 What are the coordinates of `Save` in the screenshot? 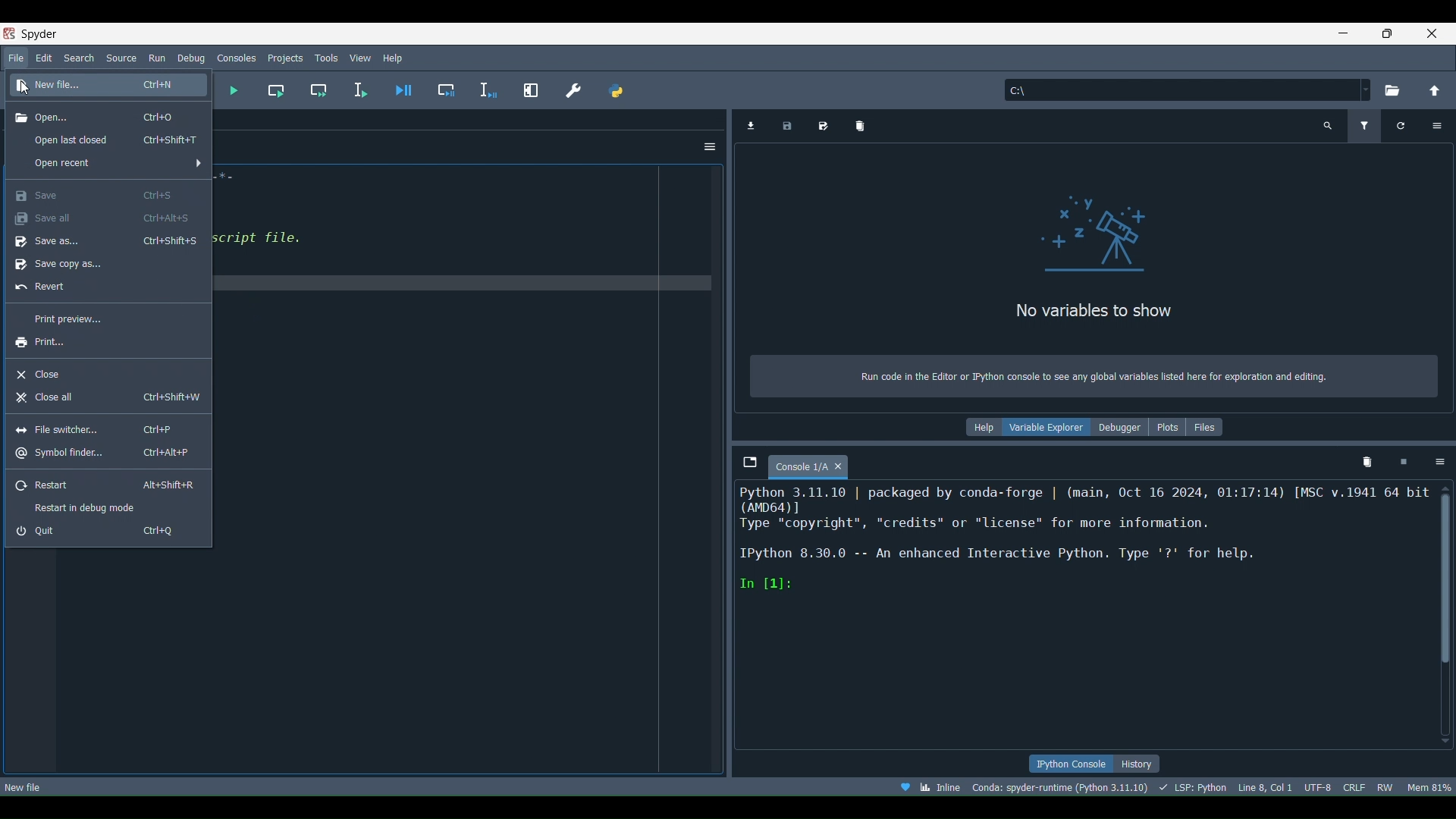 It's located at (101, 194).